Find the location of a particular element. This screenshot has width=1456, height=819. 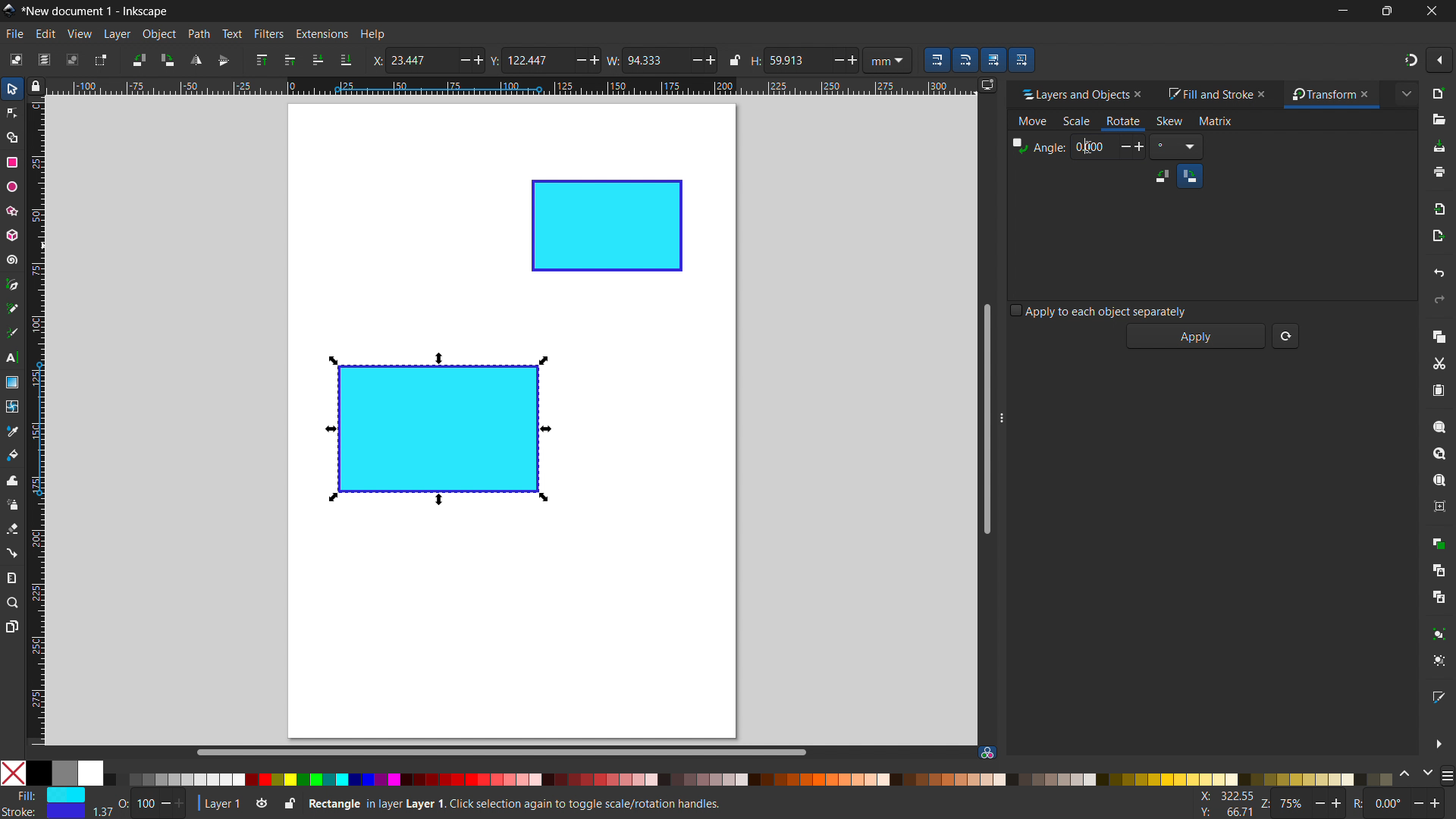

text tool is located at coordinates (12, 359).